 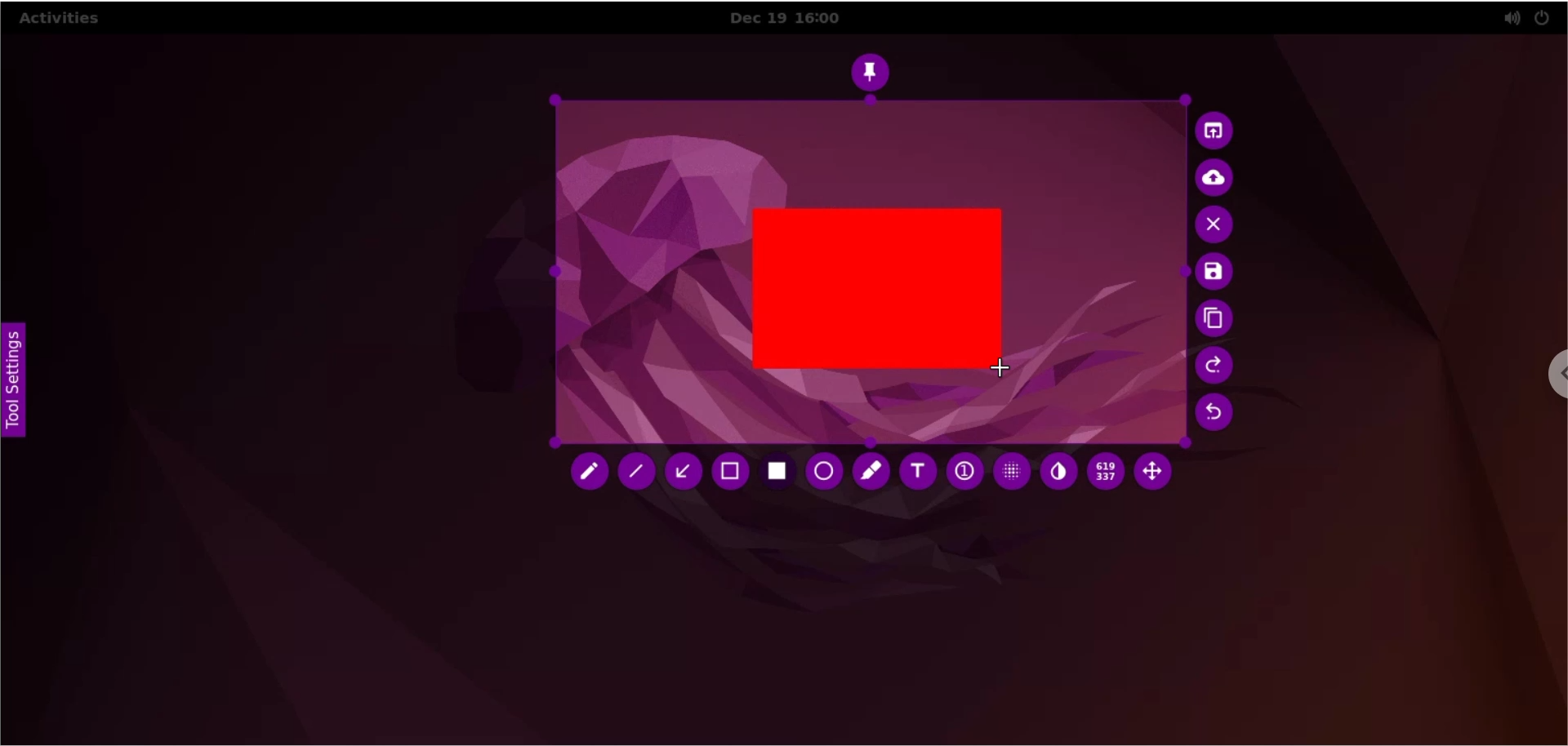 What do you see at coordinates (1059, 474) in the screenshot?
I see `inverter` at bounding box center [1059, 474].